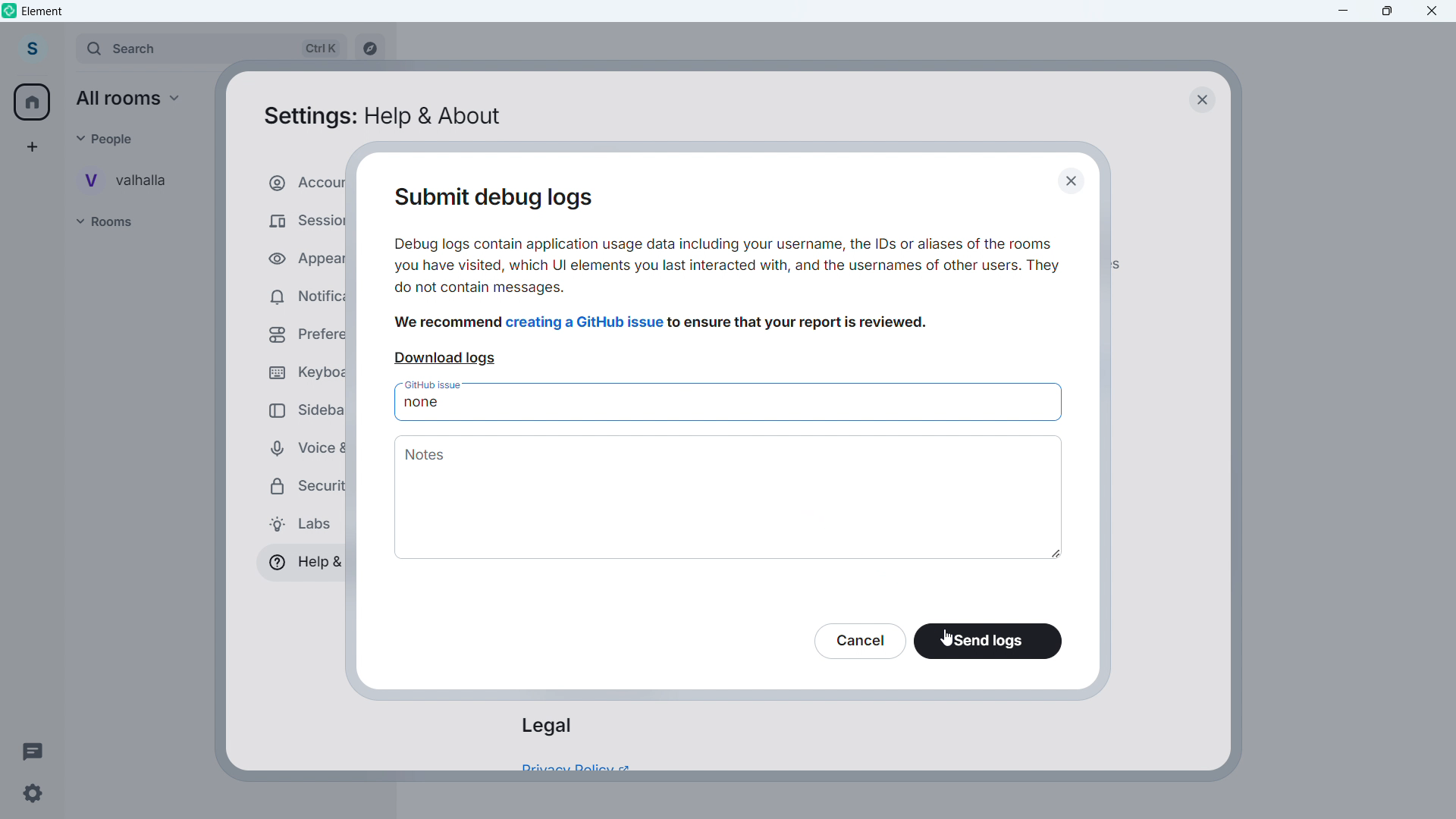  Describe the element at coordinates (730, 497) in the screenshot. I see `Add notes ` at that location.